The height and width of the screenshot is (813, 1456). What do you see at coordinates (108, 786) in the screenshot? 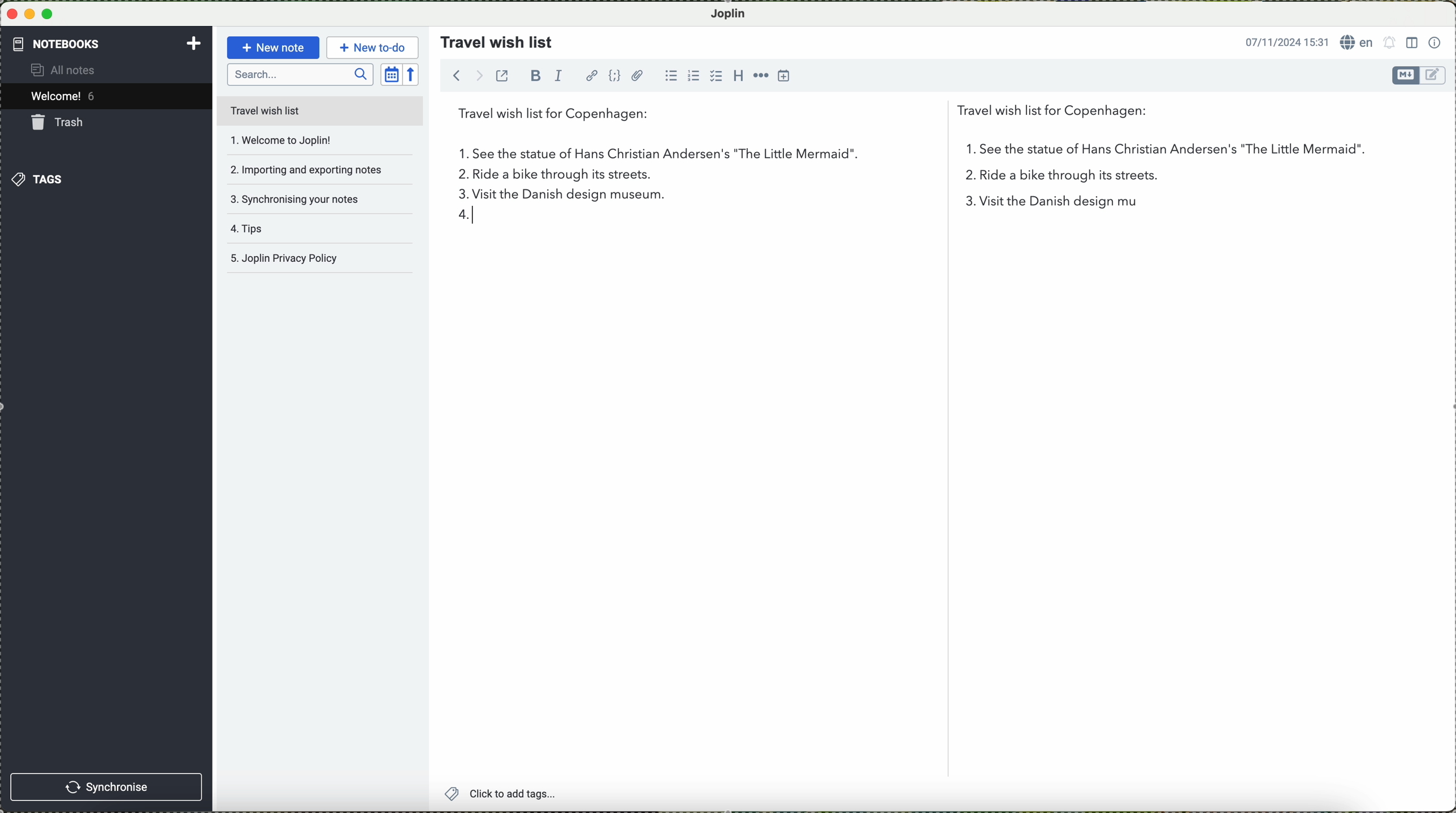
I see `synchronise button` at bounding box center [108, 786].